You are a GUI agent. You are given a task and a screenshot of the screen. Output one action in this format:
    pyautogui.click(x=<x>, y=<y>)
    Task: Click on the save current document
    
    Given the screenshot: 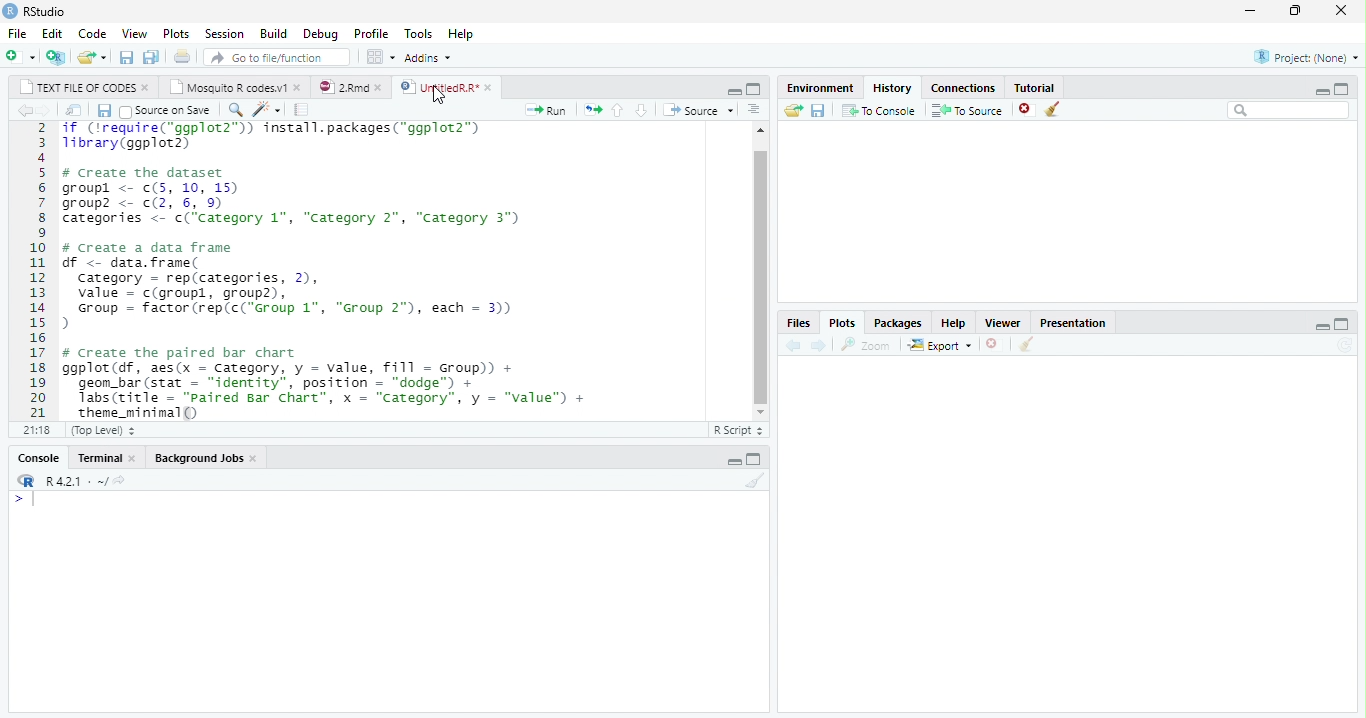 What is the action you would take?
    pyautogui.click(x=126, y=57)
    